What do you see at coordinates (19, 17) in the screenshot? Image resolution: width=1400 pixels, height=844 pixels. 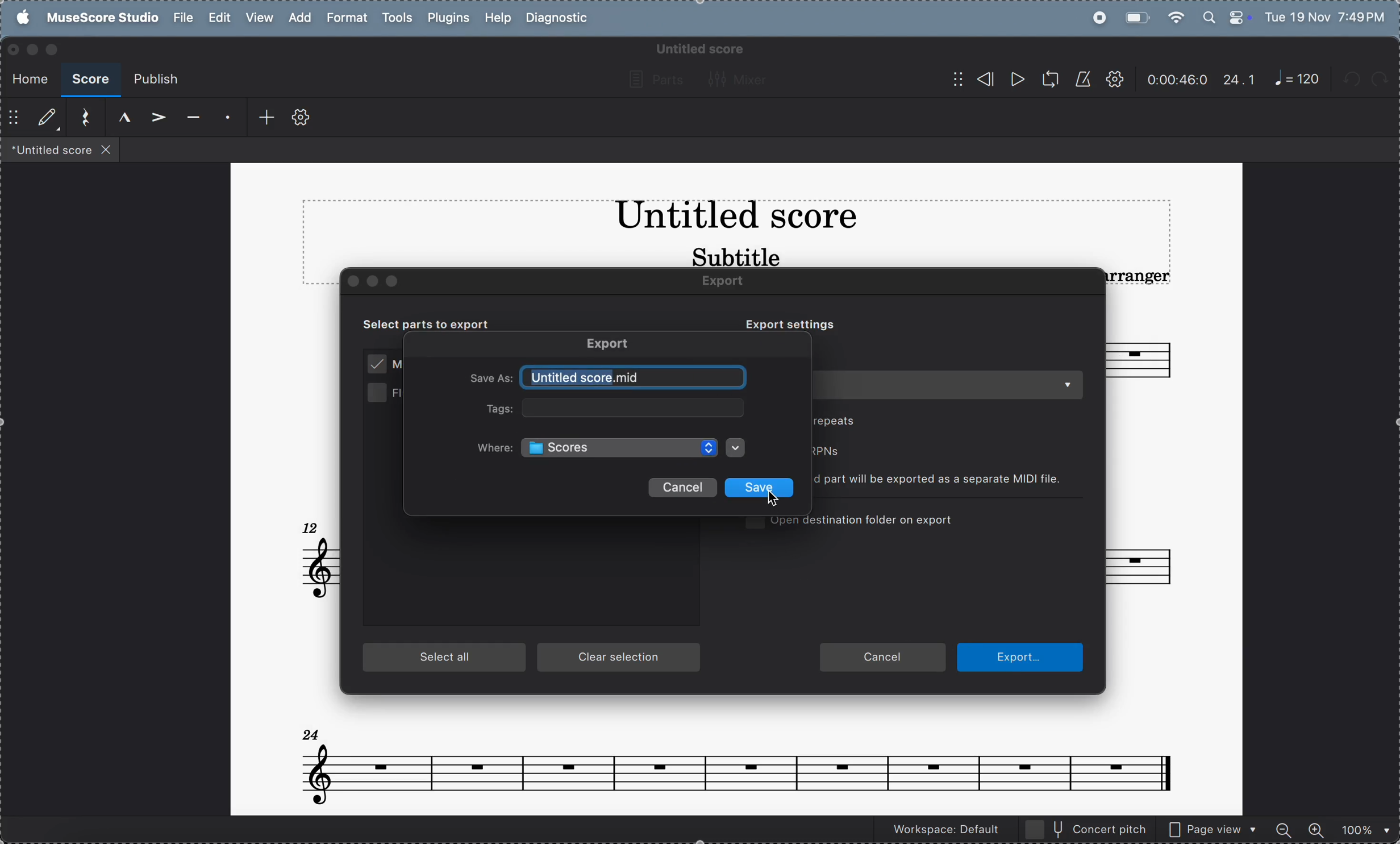 I see `apple menu` at bounding box center [19, 17].